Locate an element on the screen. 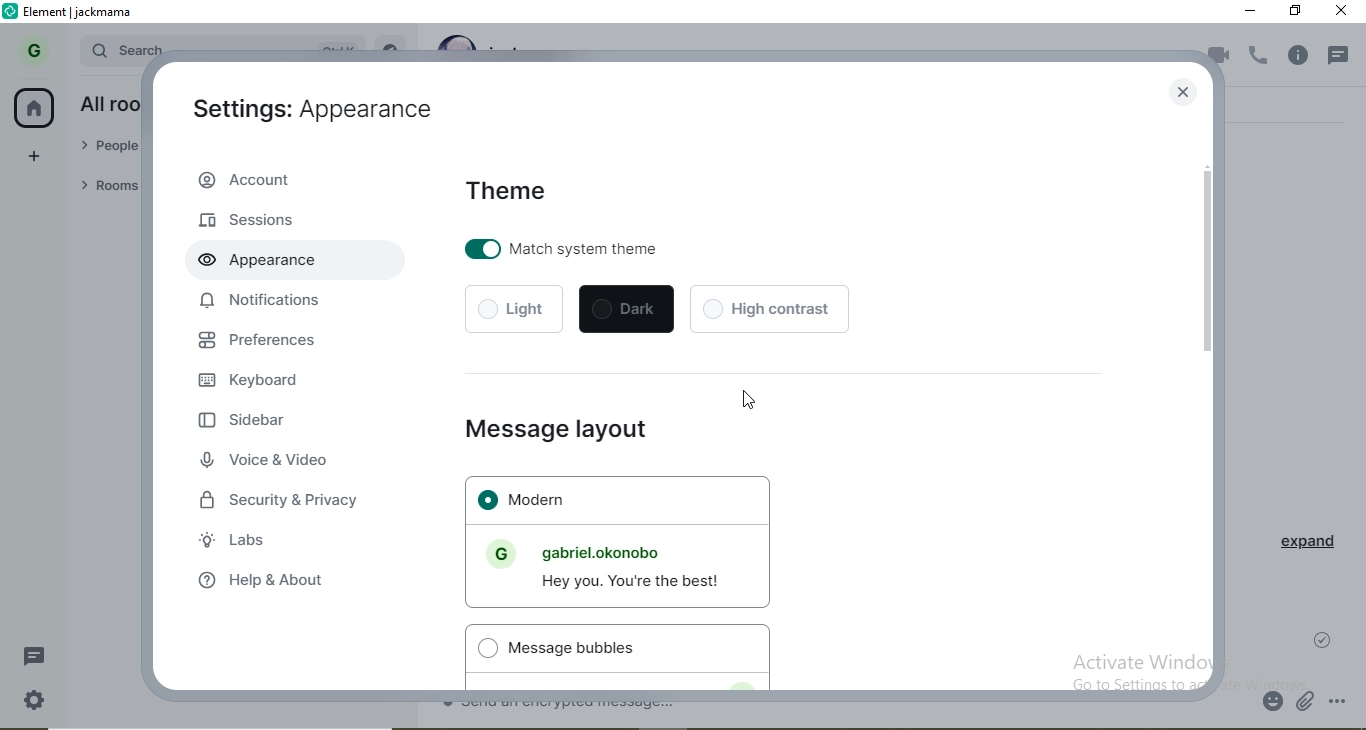 The height and width of the screenshot is (730, 1366). security & privacy is located at coordinates (286, 496).